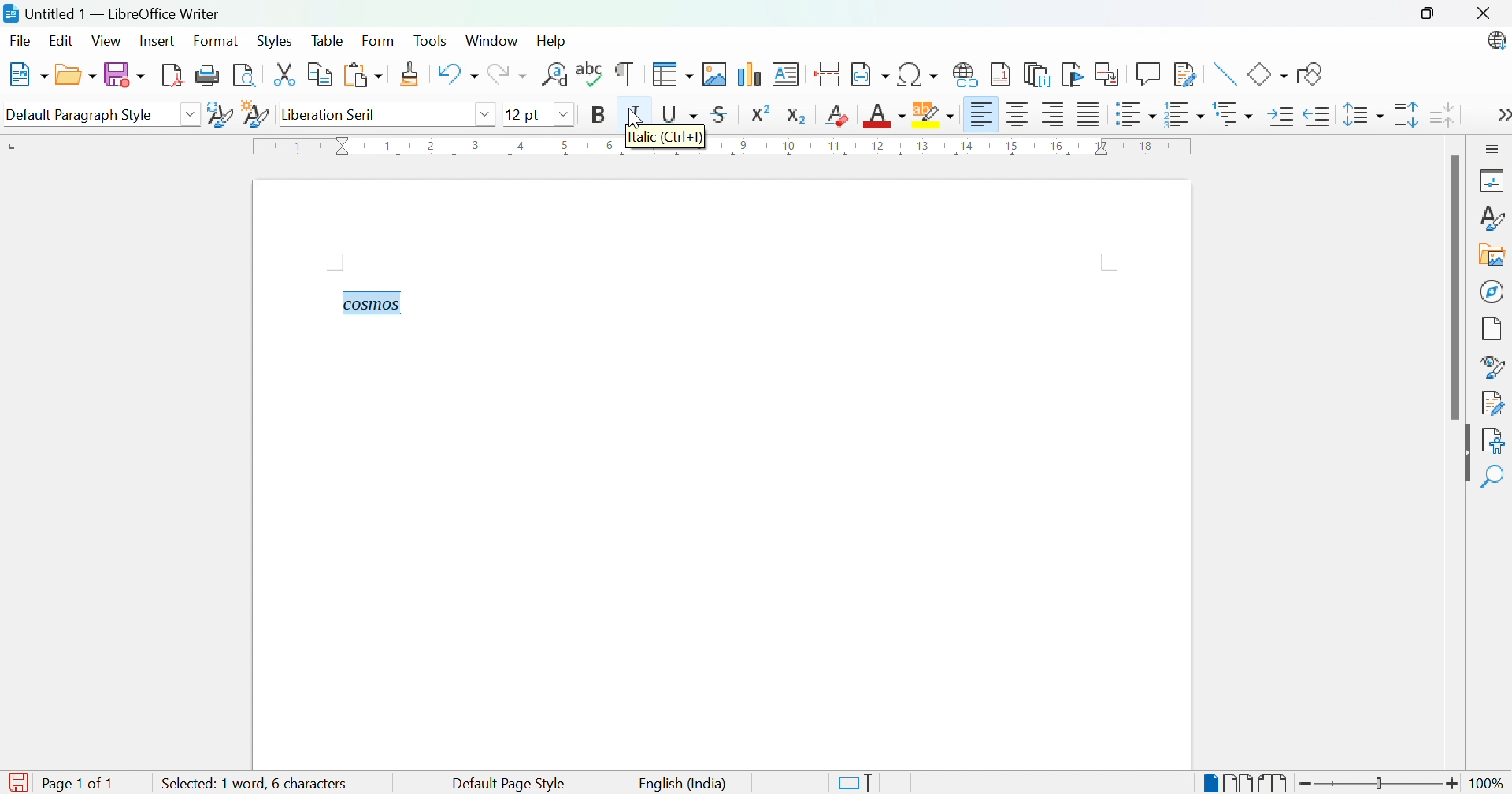  Describe the element at coordinates (255, 115) in the screenshot. I see `New style from selection` at that location.